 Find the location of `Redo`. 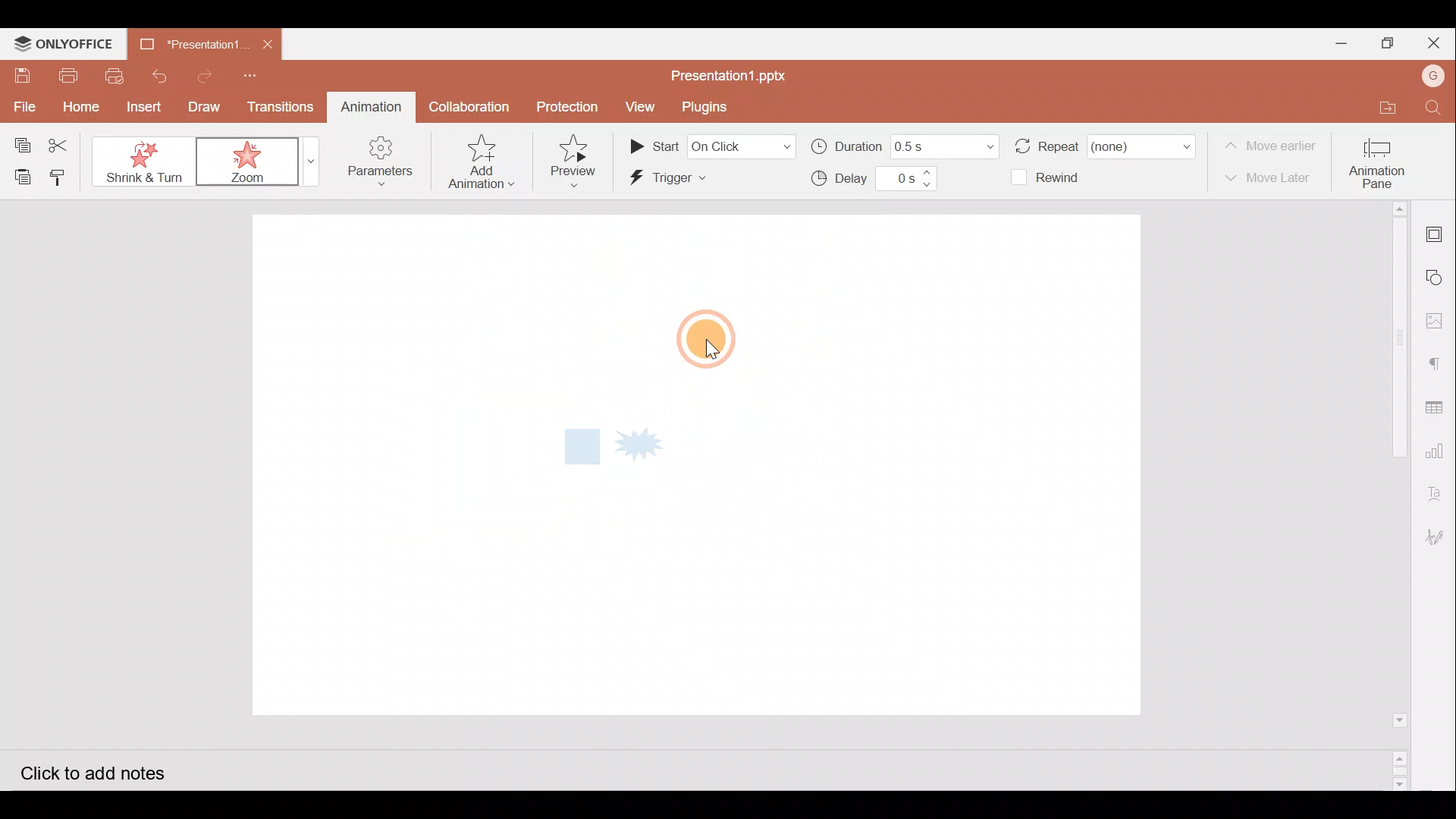

Redo is located at coordinates (205, 74).